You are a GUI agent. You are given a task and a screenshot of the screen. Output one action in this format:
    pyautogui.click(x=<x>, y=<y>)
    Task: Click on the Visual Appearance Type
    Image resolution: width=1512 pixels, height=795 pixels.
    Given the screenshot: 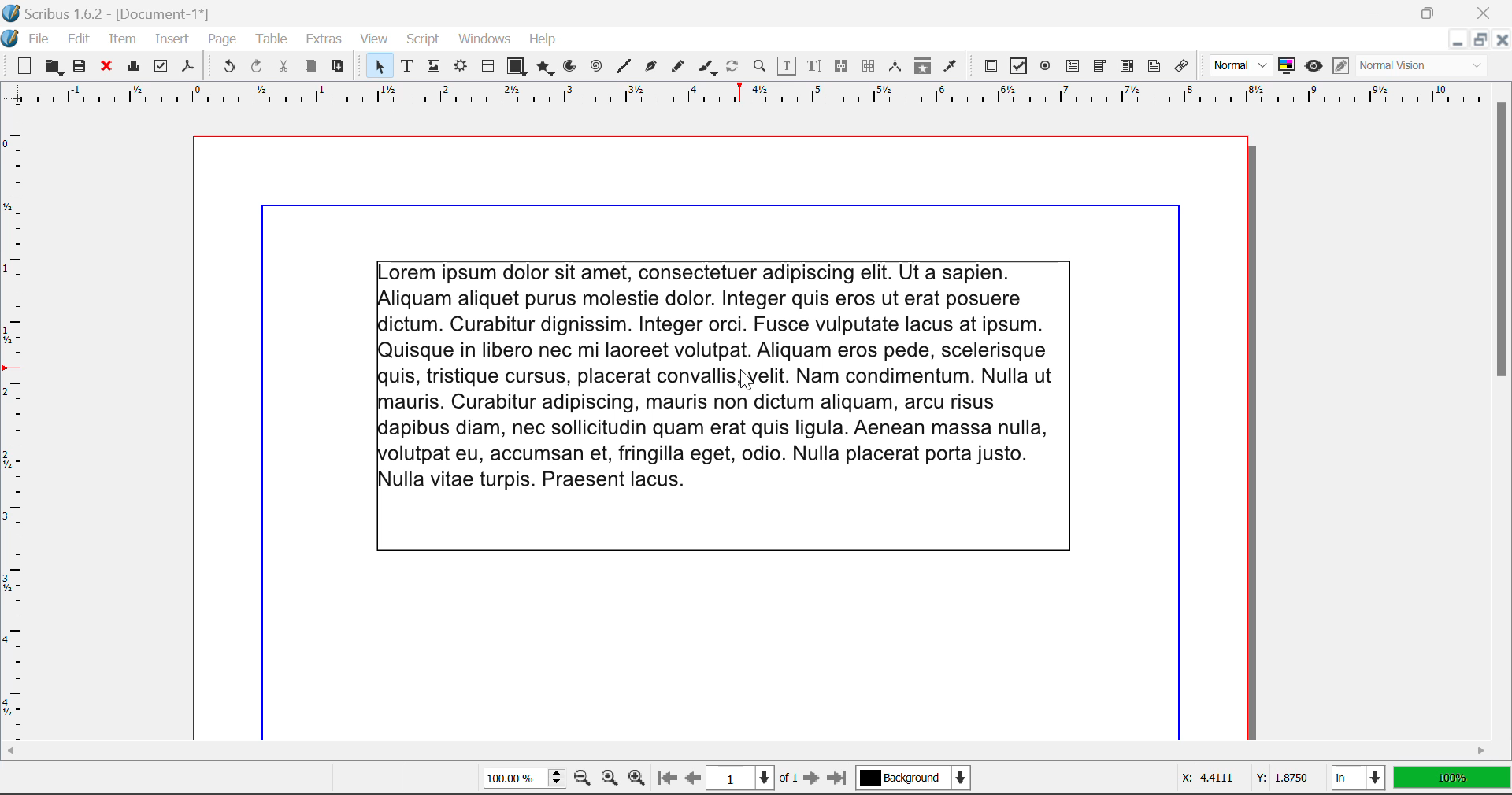 What is the action you would take?
    pyautogui.click(x=1423, y=67)
    